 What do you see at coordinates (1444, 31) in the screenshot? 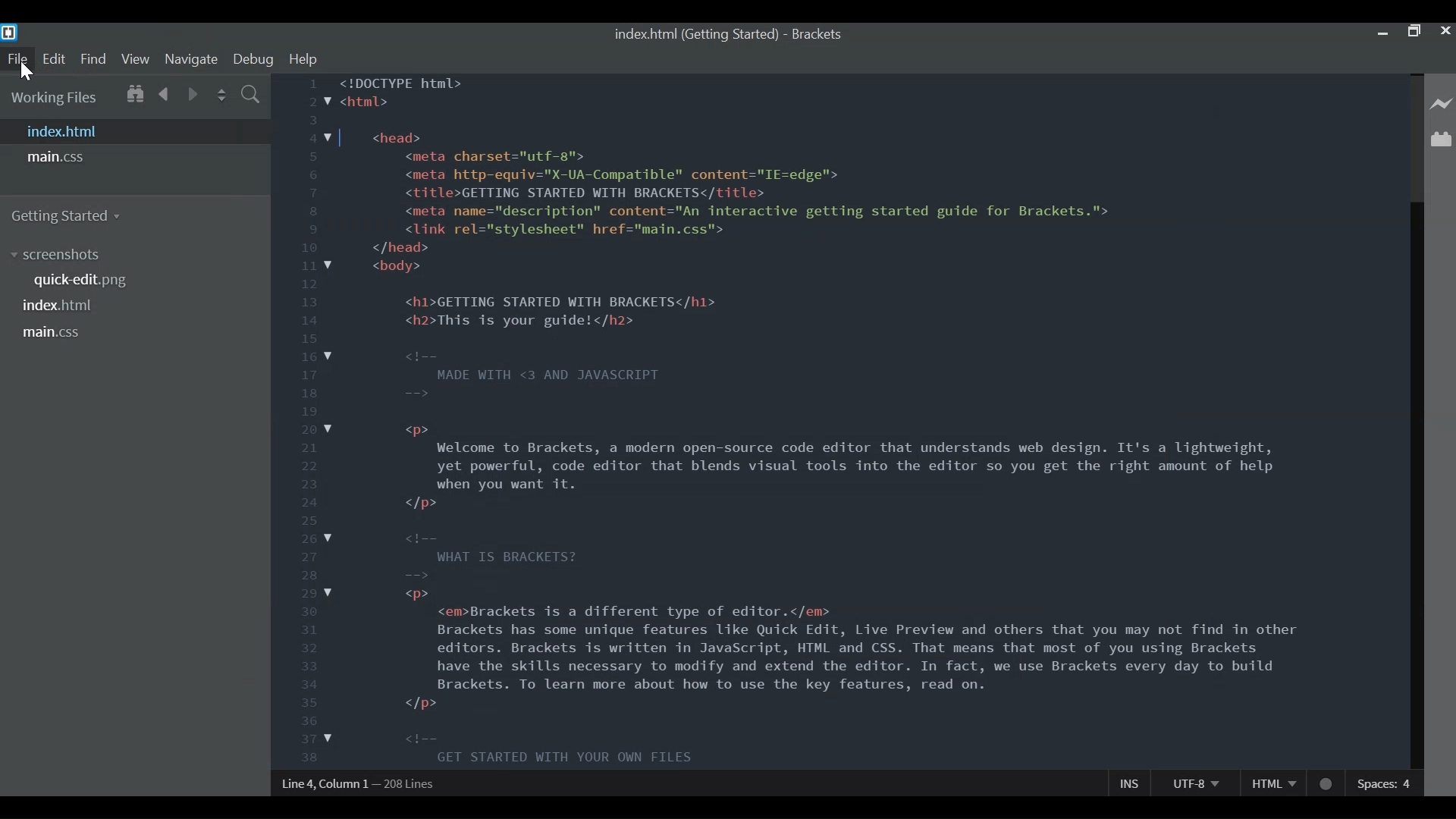
I see `Close` at bounding box center [1444, 31].